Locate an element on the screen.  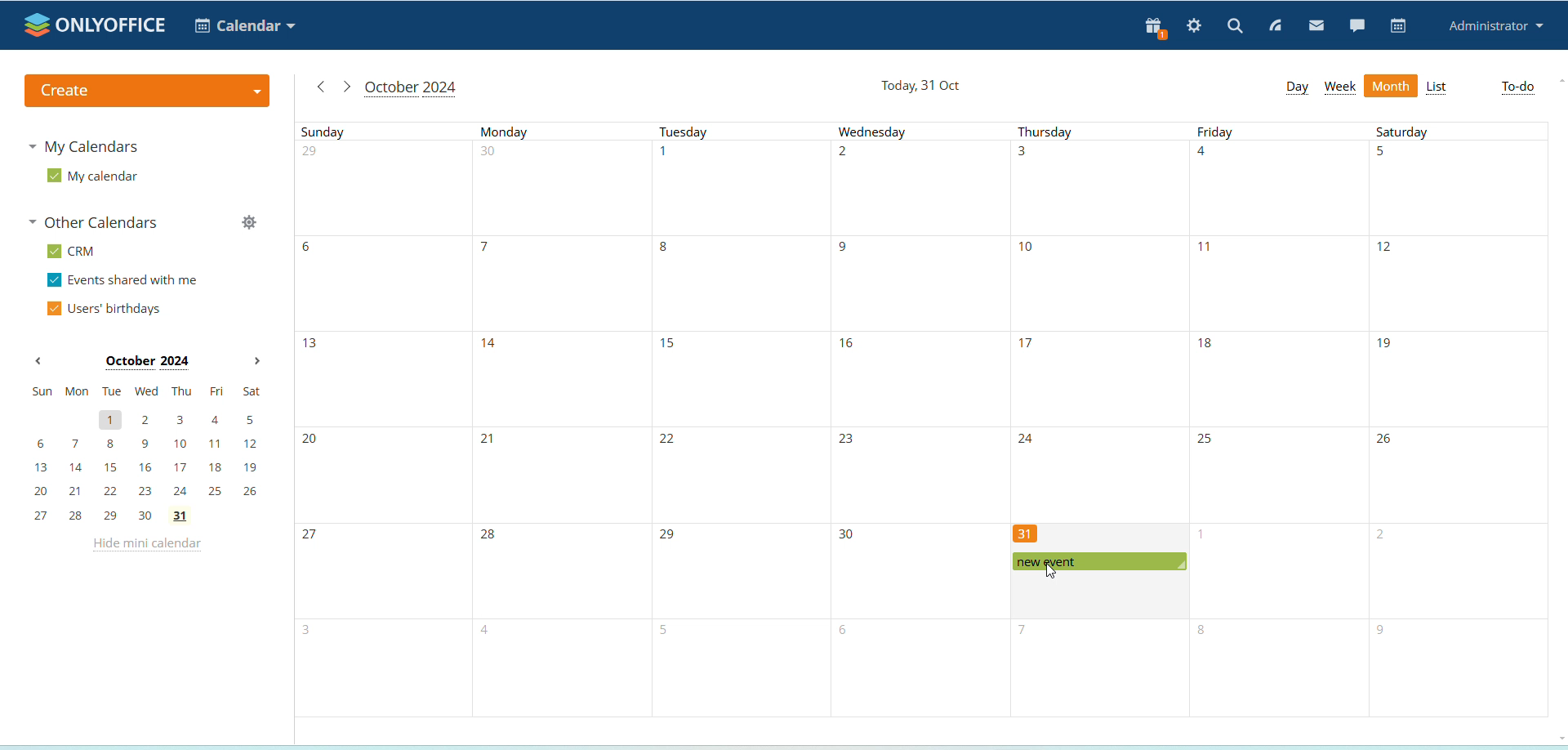
month on display is located at coordinates (147, 363).